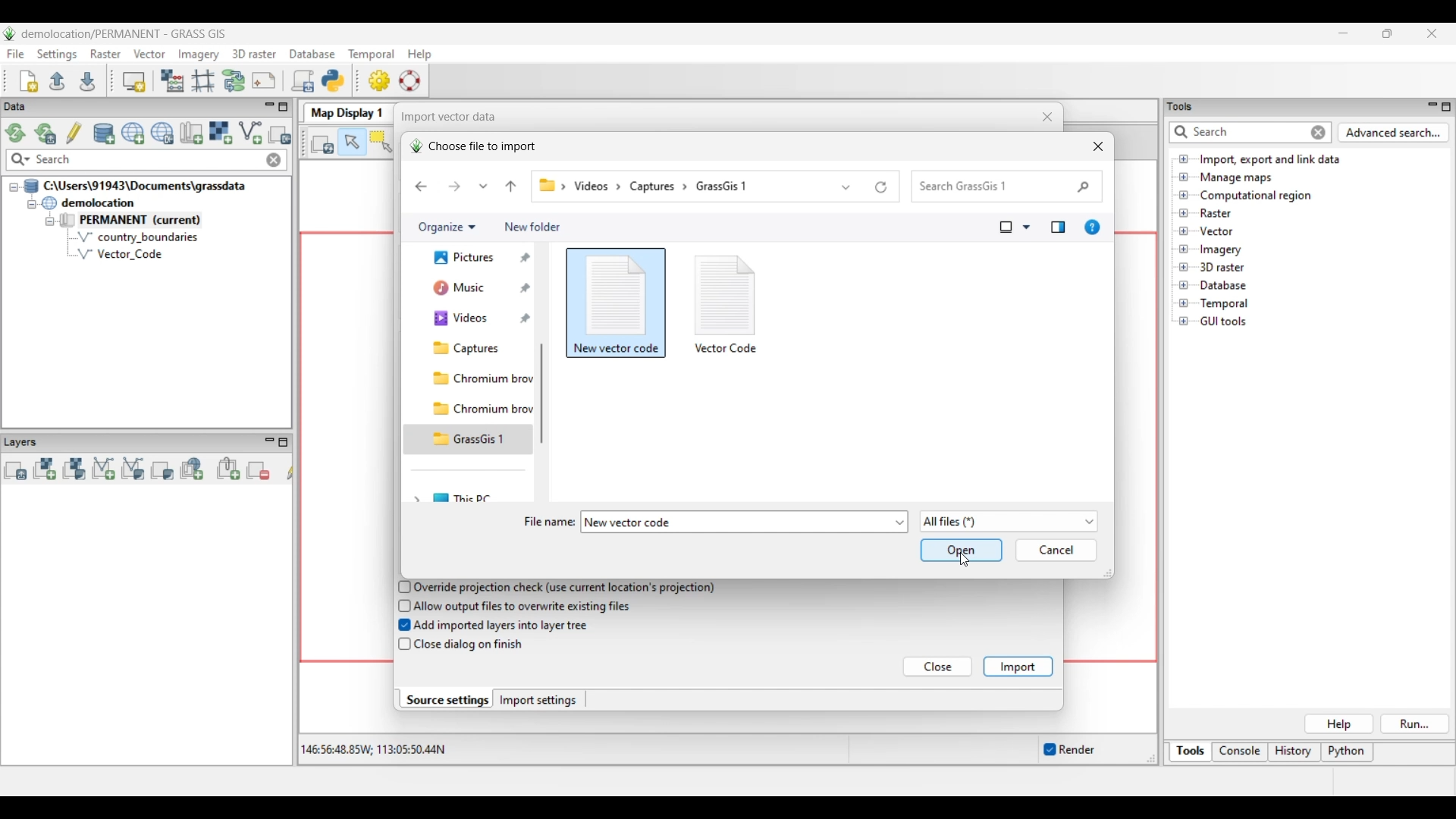 Image resolution: width=1456 pixels, height=819 pixels. I want to click on 3D raster menu, so click(254, 53).